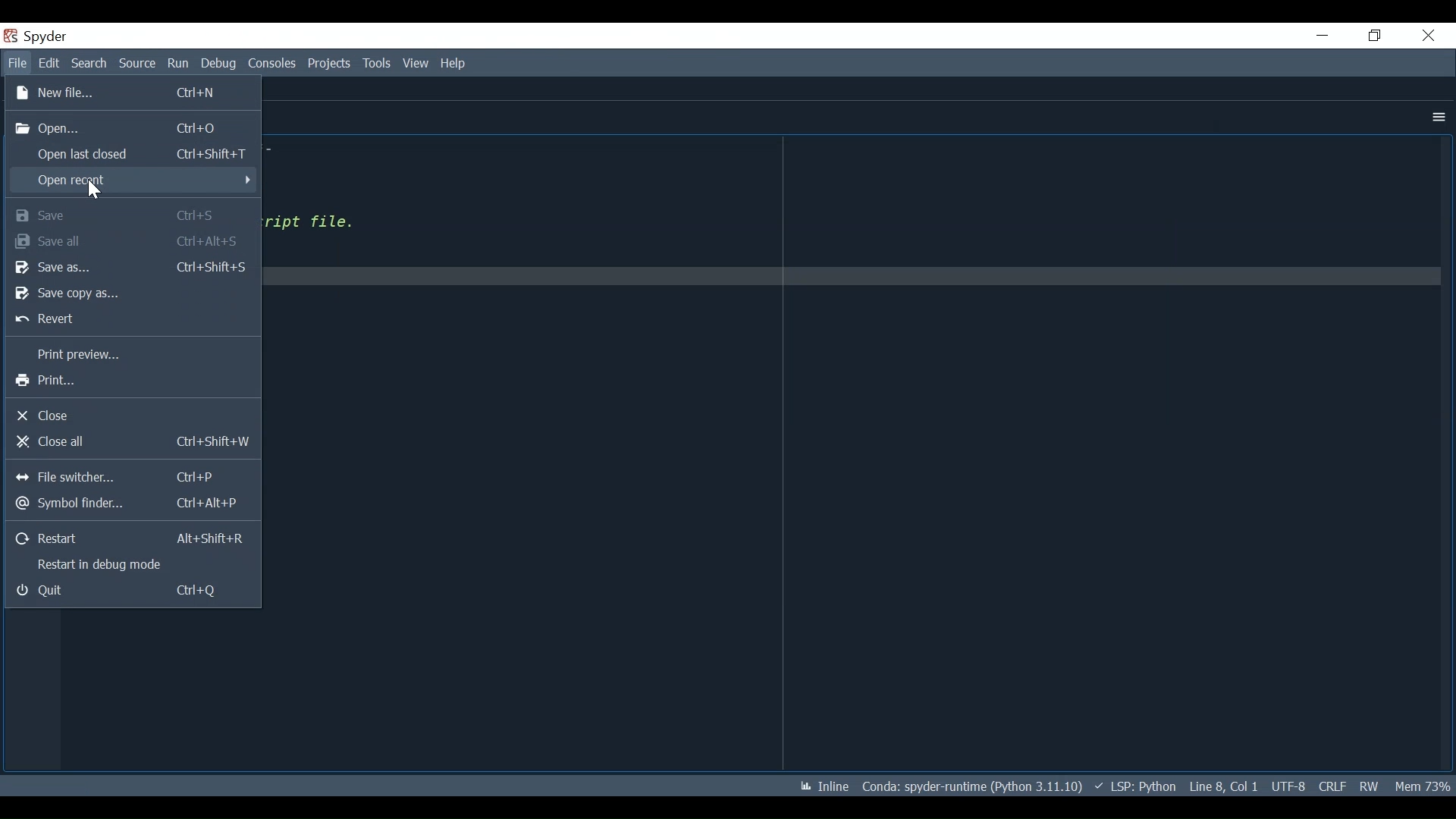  I want to click on Open Recent, so click(133, 179).